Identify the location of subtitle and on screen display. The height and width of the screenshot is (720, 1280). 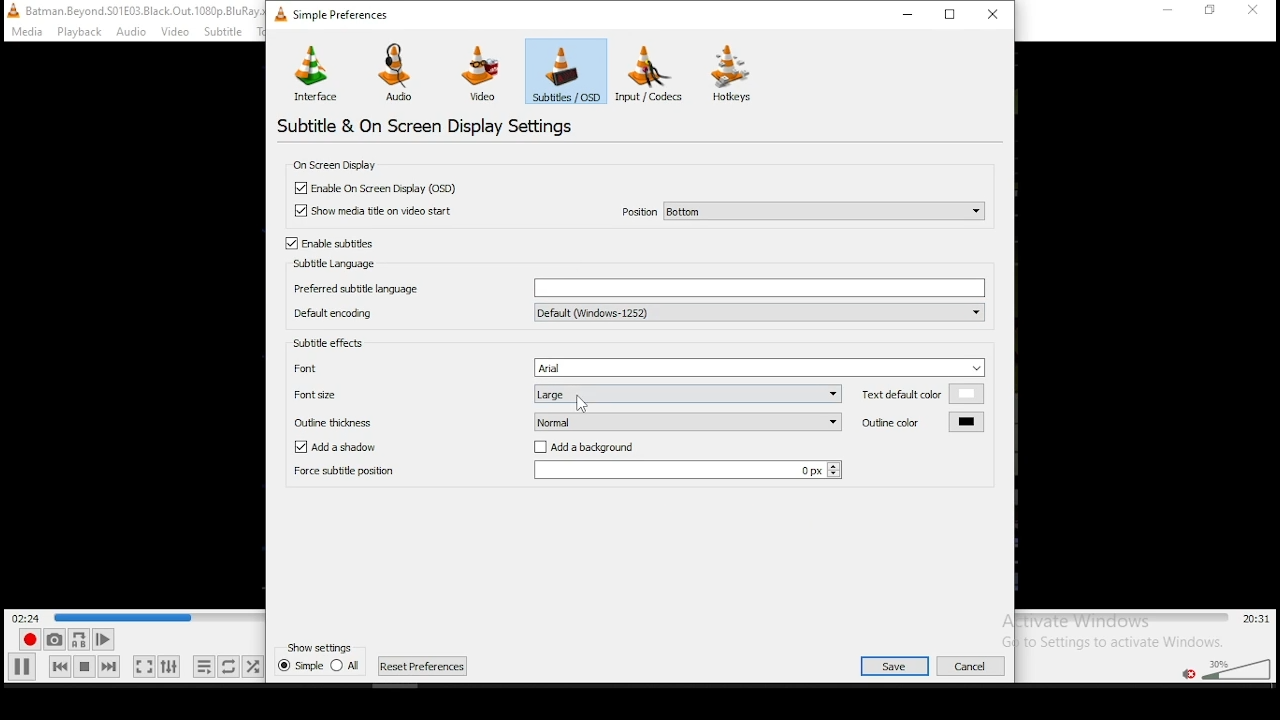
(440, 126).